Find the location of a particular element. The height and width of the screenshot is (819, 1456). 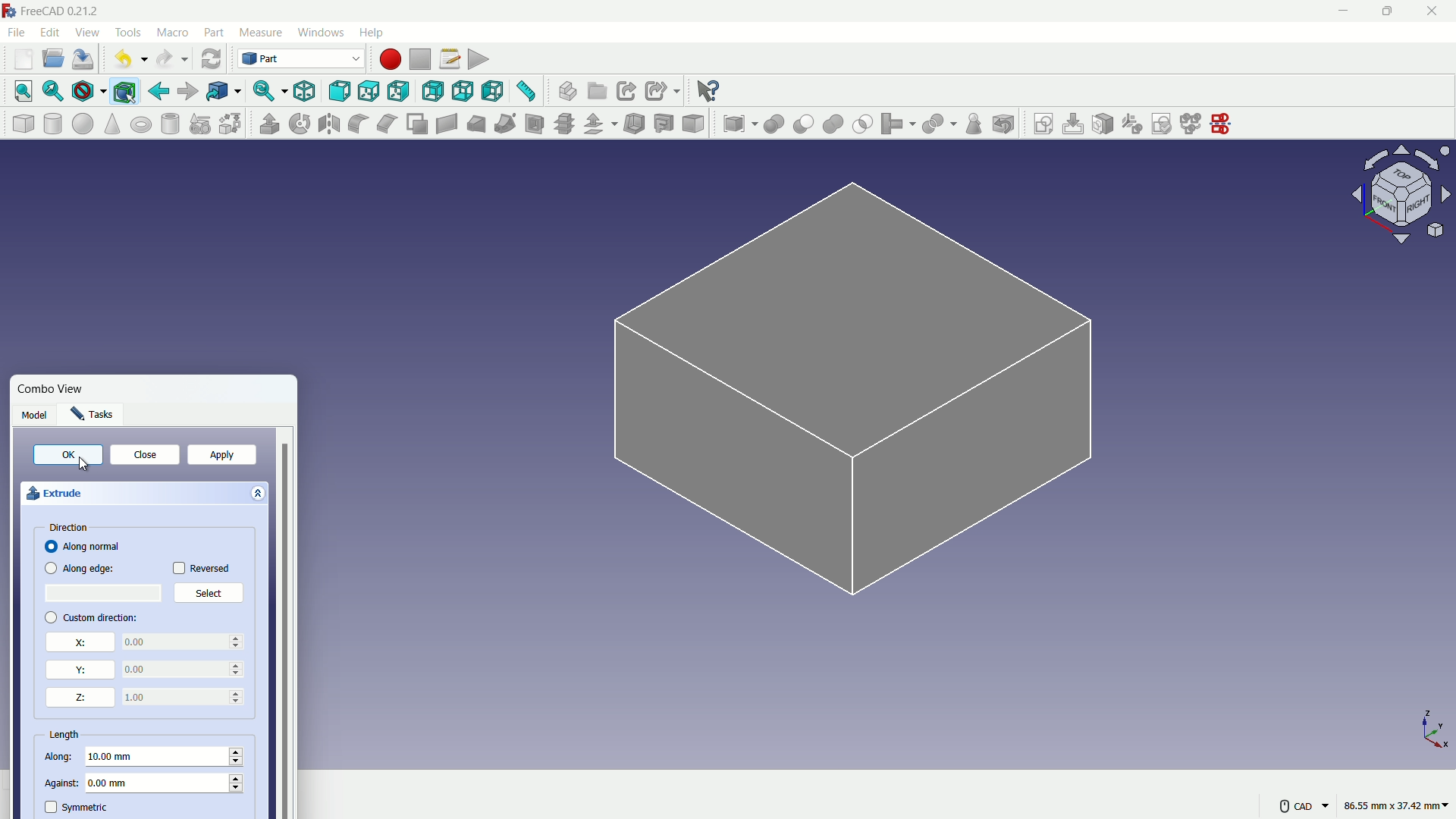

defeaturing is located at coordinates (1003, 124).